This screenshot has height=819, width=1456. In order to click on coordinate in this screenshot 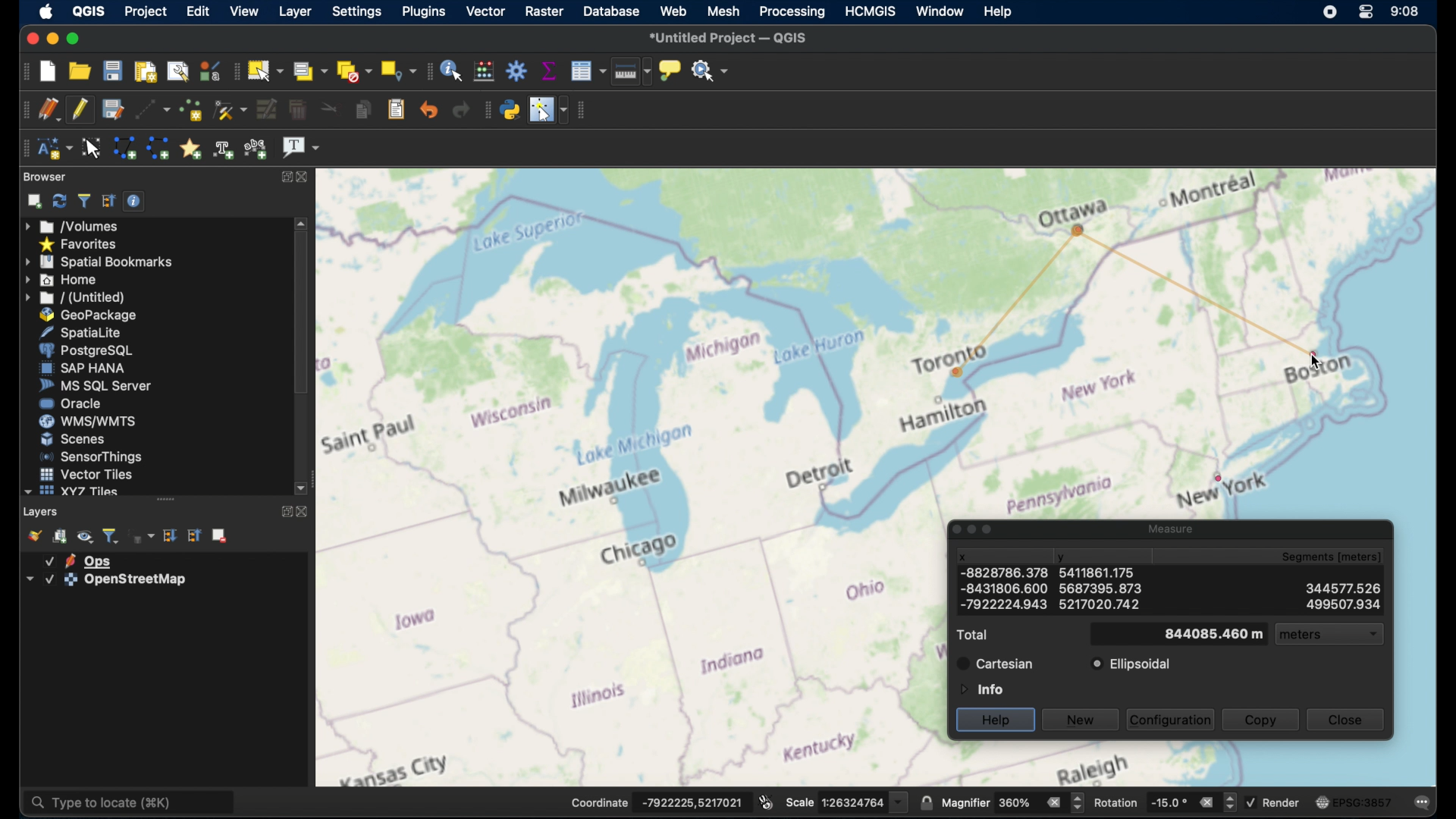, I will do `click(656, 801)`.